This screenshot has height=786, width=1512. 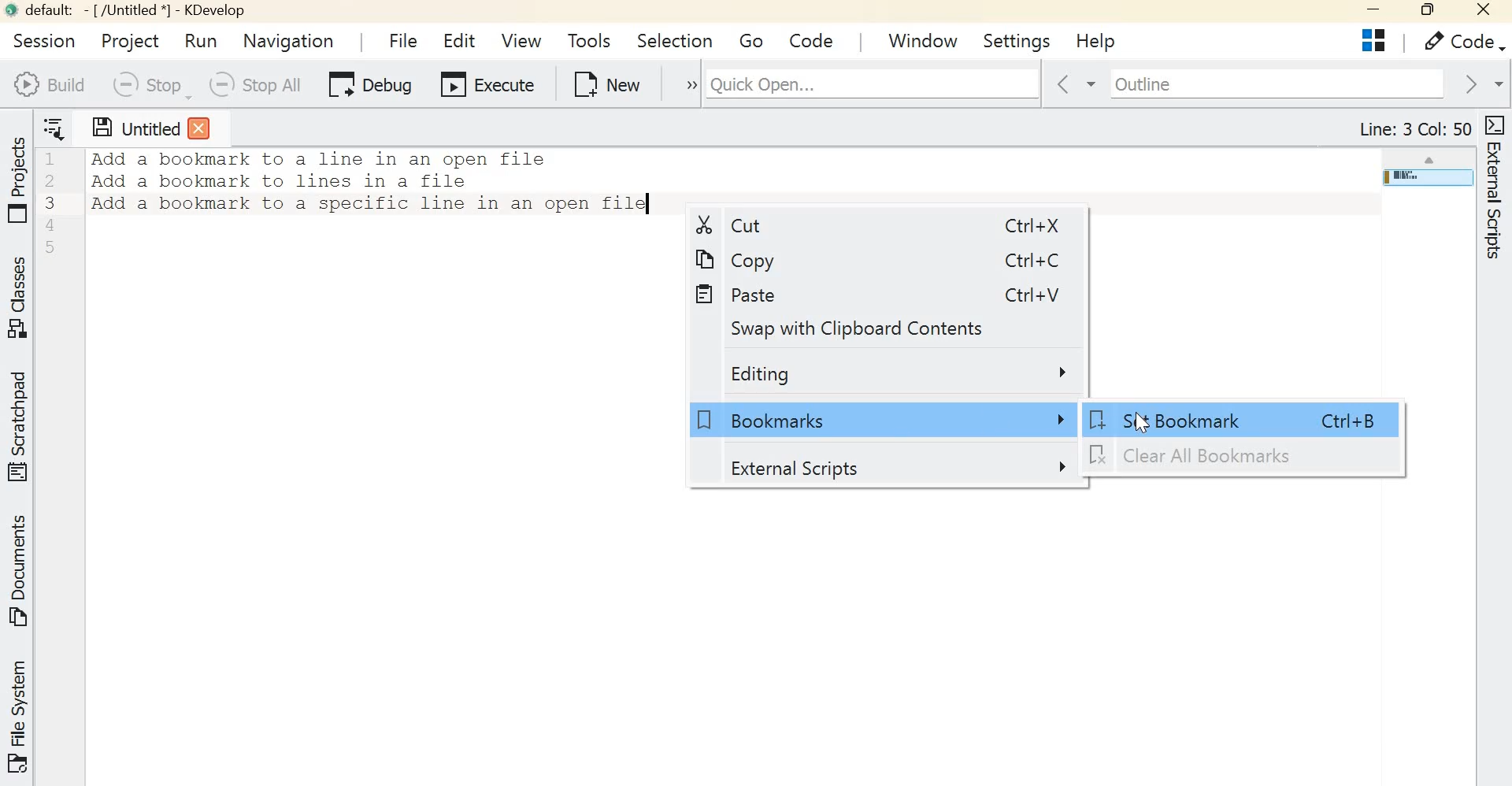 I want to click on session, so click(x=44, y=40).